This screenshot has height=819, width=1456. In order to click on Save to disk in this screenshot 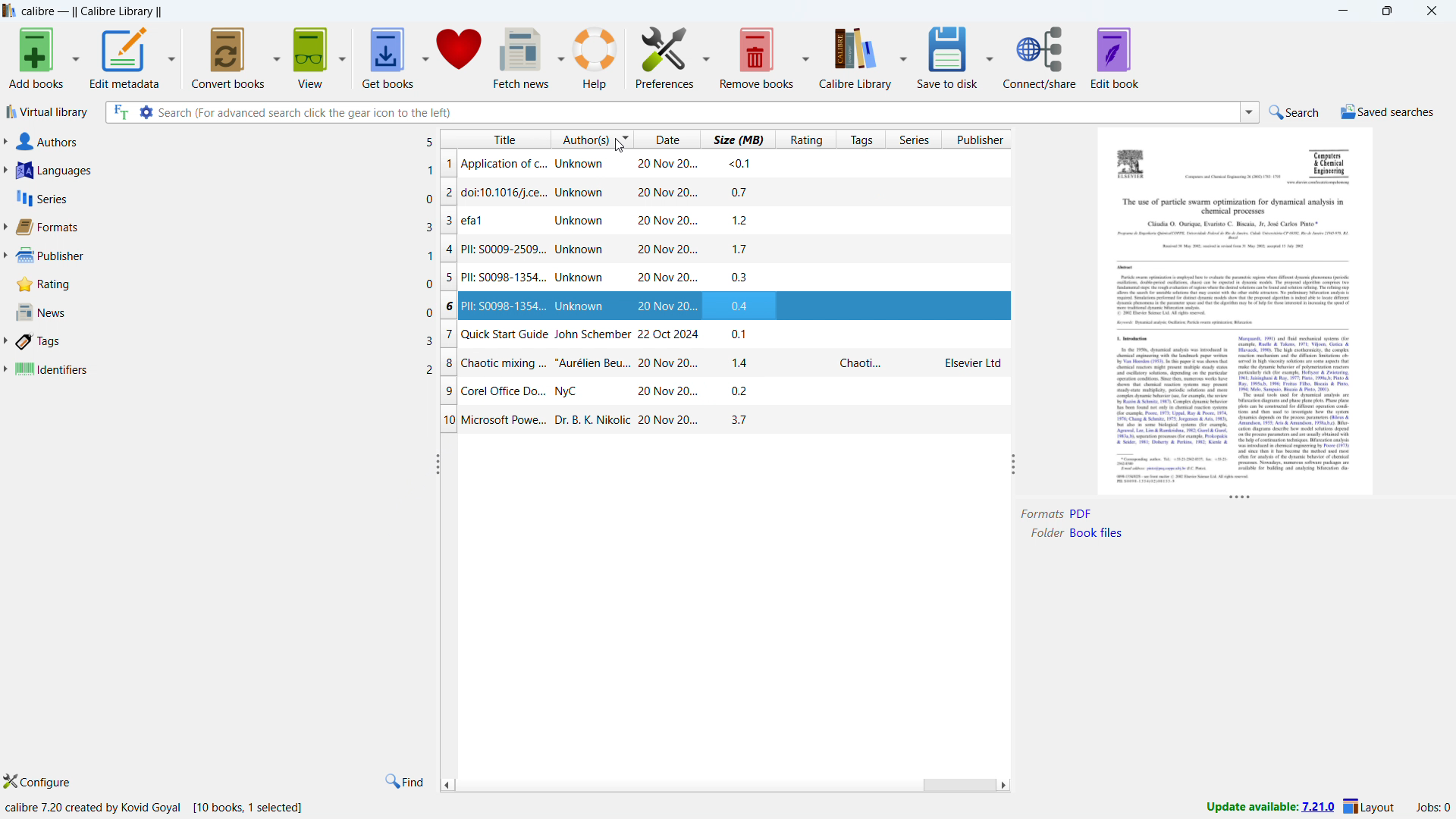, I will do `click(948, 57)`.